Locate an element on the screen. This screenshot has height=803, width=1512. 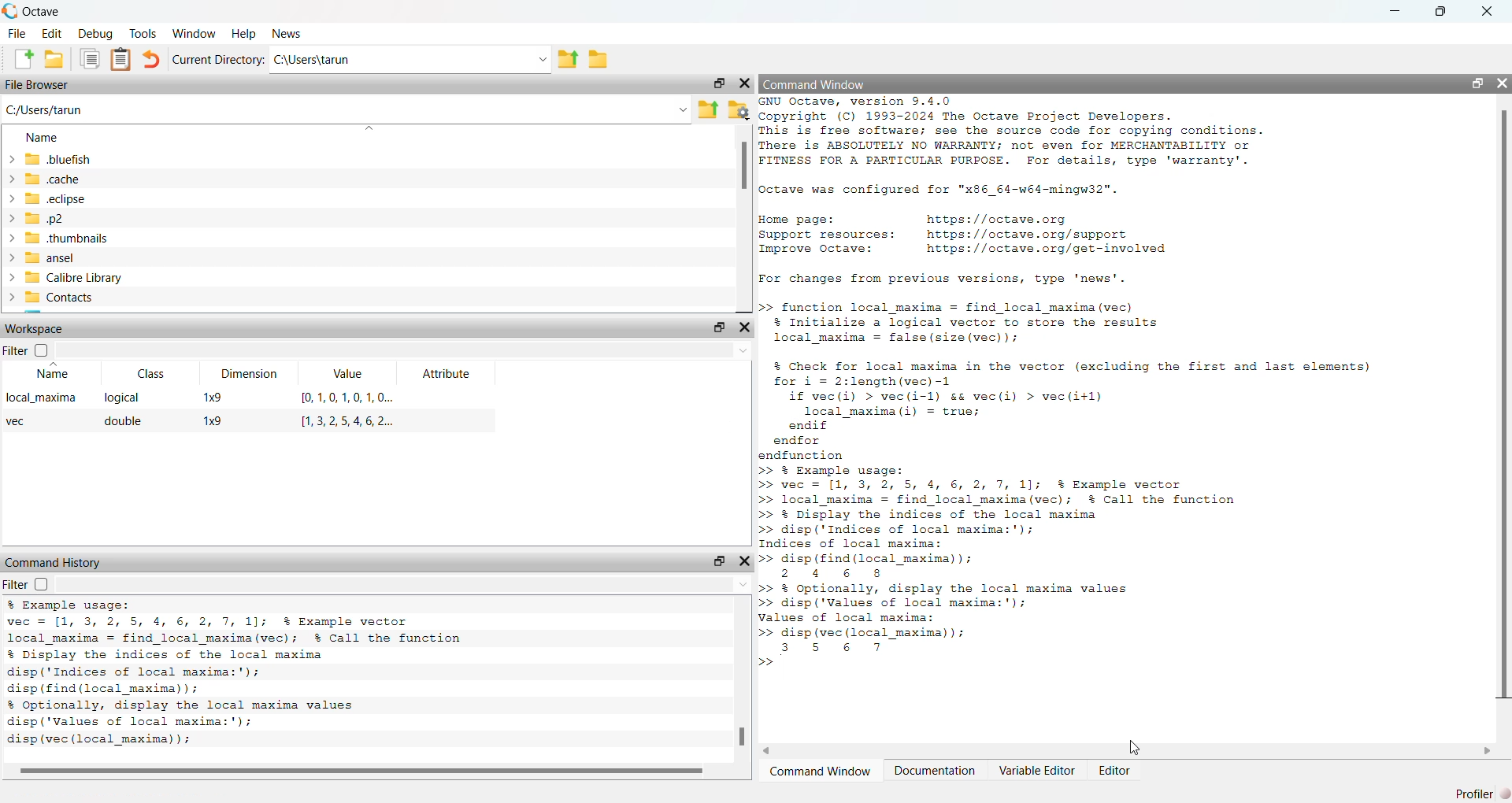
Browse Directions is located at coordinates (598, 59).